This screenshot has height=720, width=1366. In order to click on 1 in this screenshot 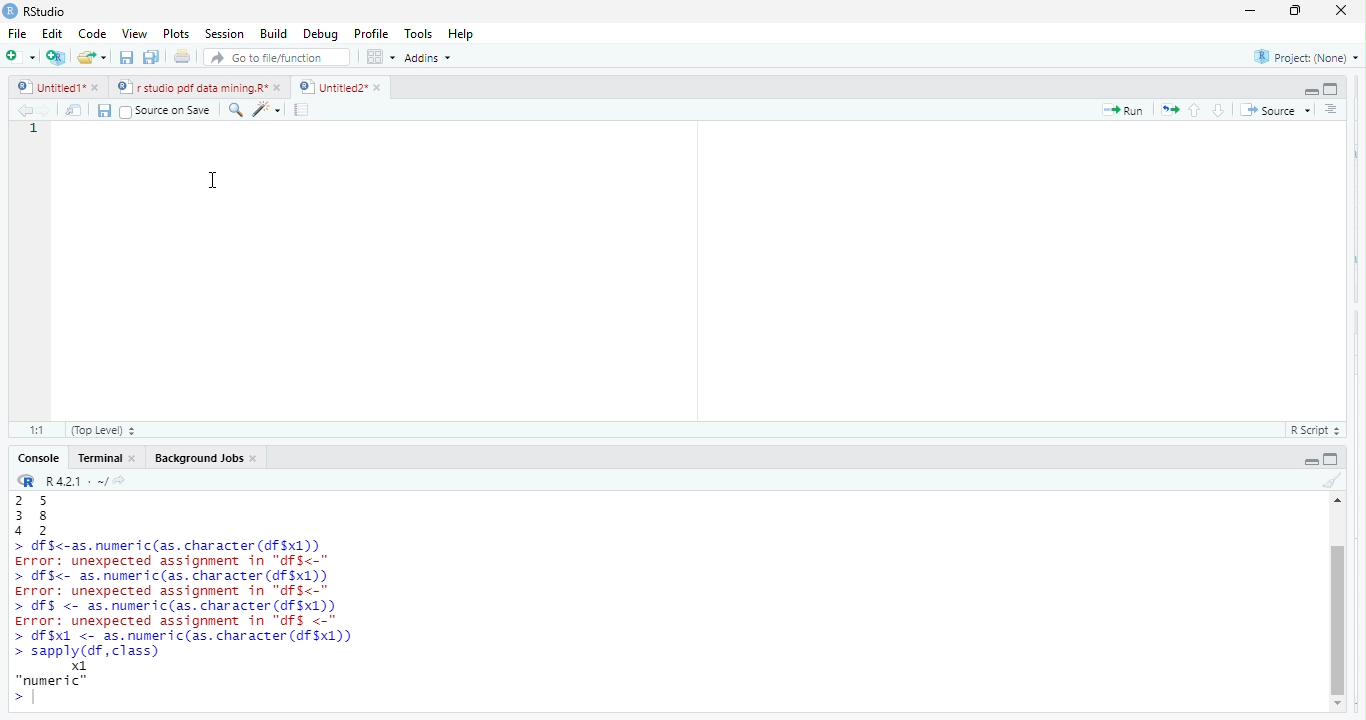, I will do `click(29, 129)`.